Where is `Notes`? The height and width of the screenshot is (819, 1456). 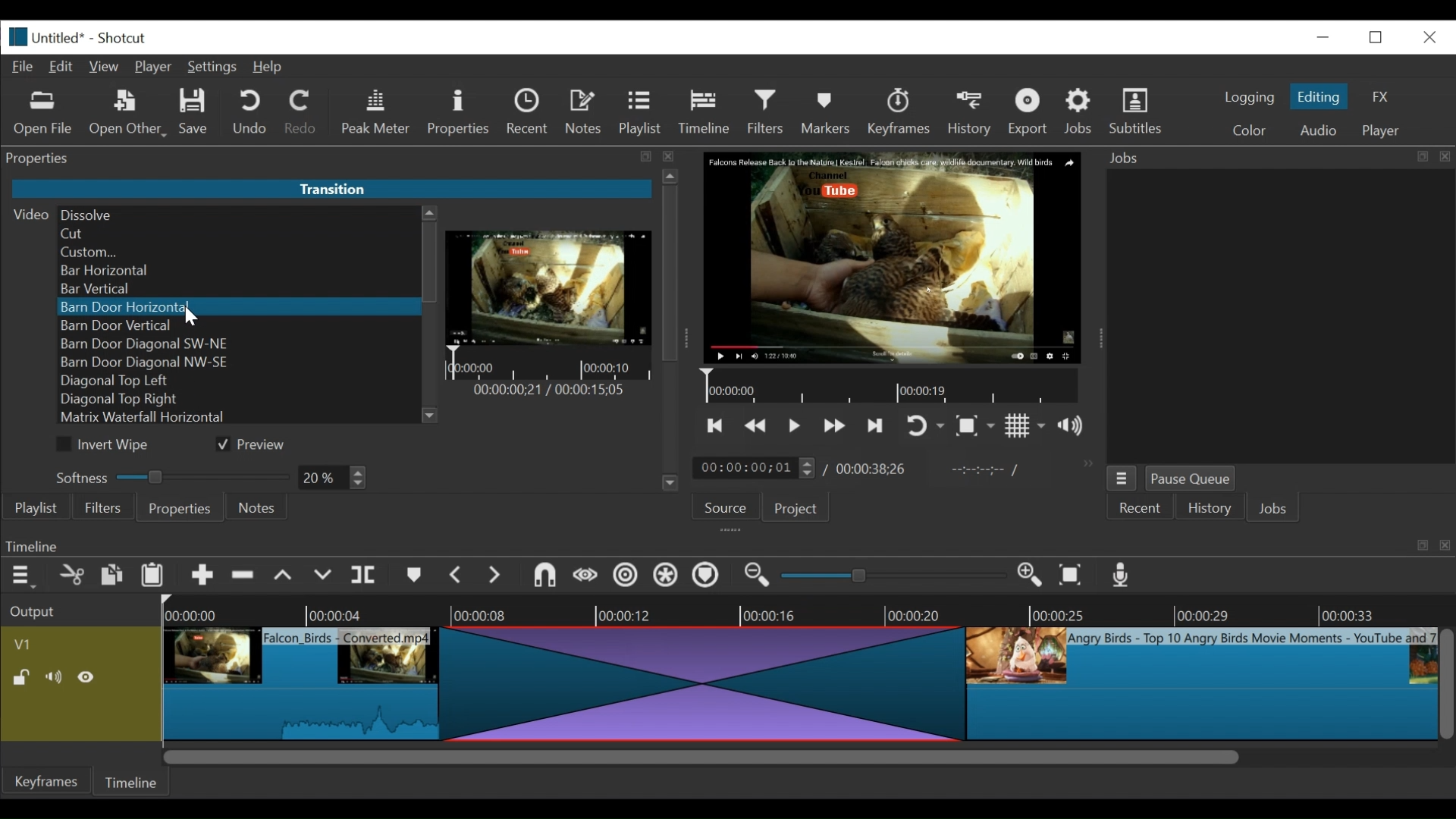
Notes is located at coordinates (586, 112).